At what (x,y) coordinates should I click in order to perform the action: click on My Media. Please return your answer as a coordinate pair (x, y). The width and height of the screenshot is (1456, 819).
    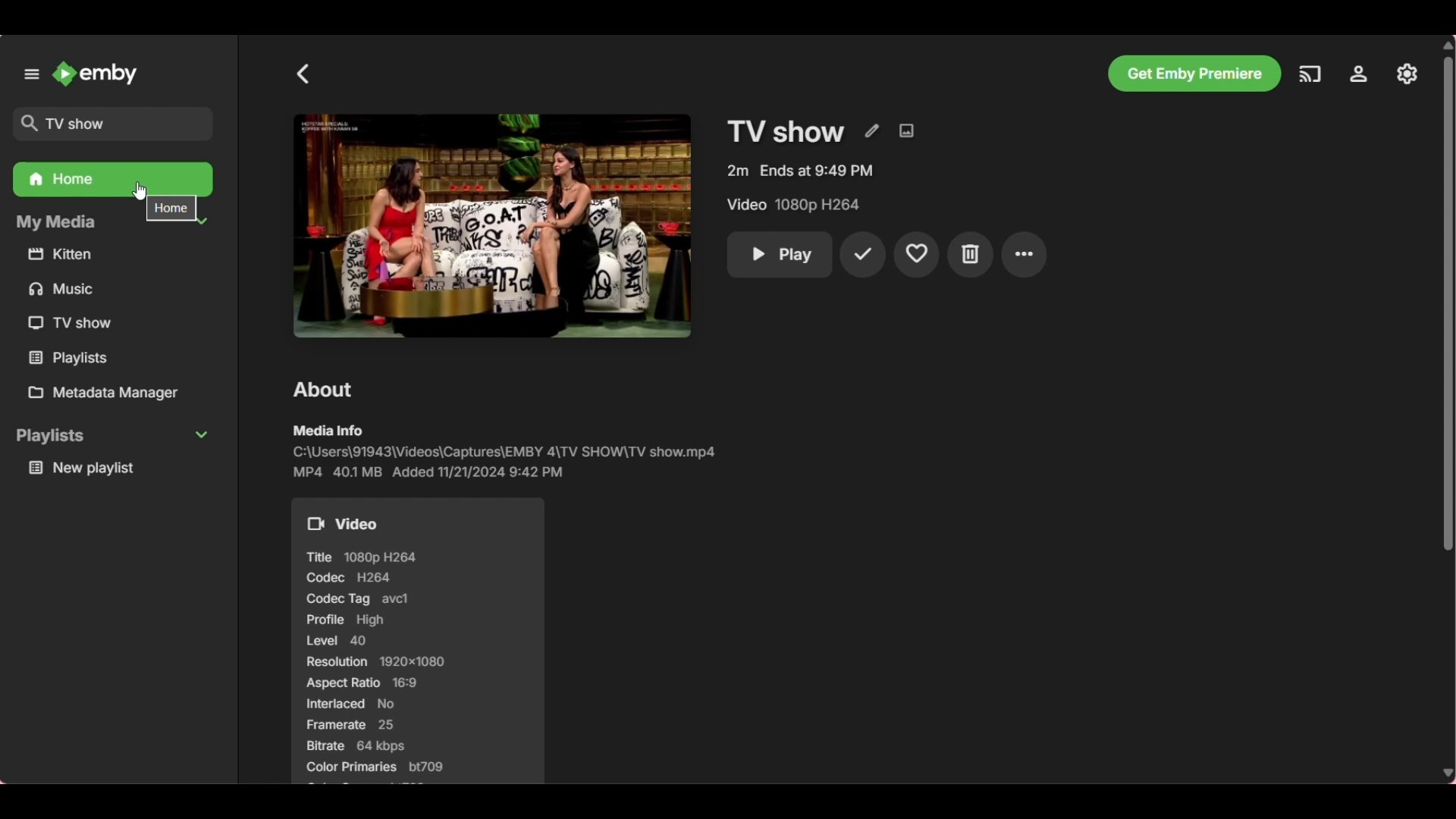
    Looking at the image, I should click on (114, 224).